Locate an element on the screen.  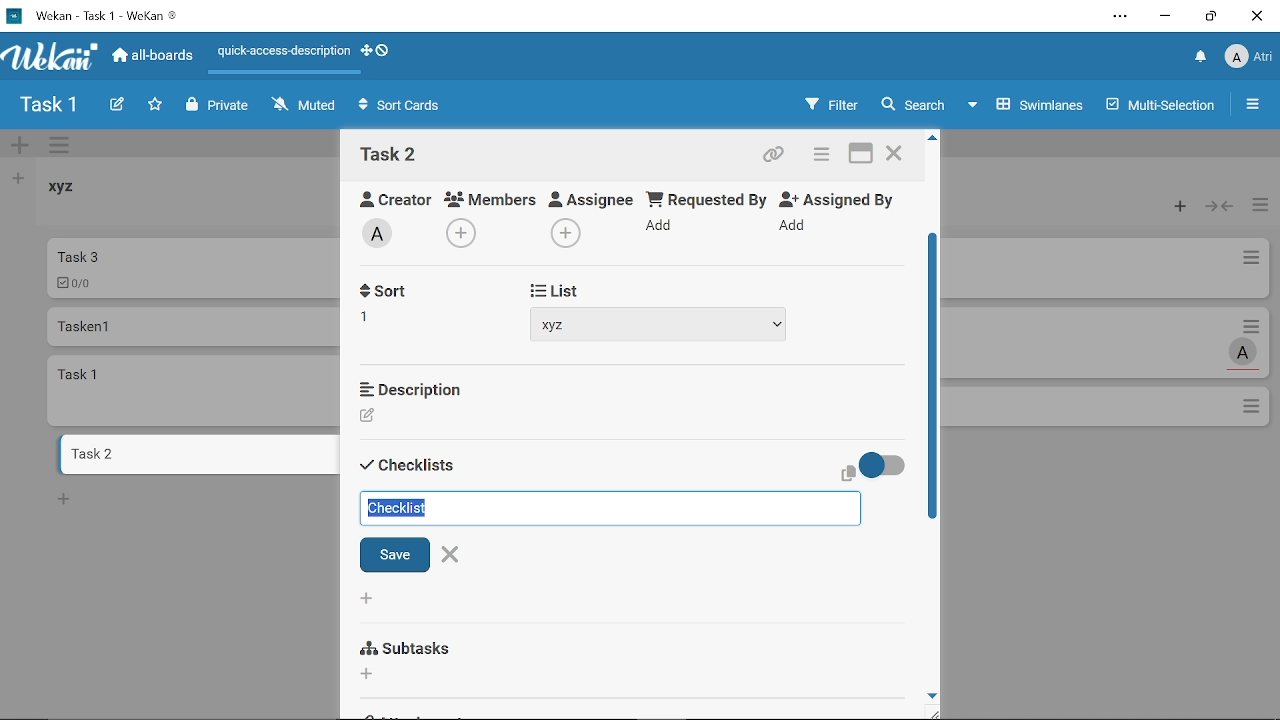
Add is located at coordinates (464, 231).